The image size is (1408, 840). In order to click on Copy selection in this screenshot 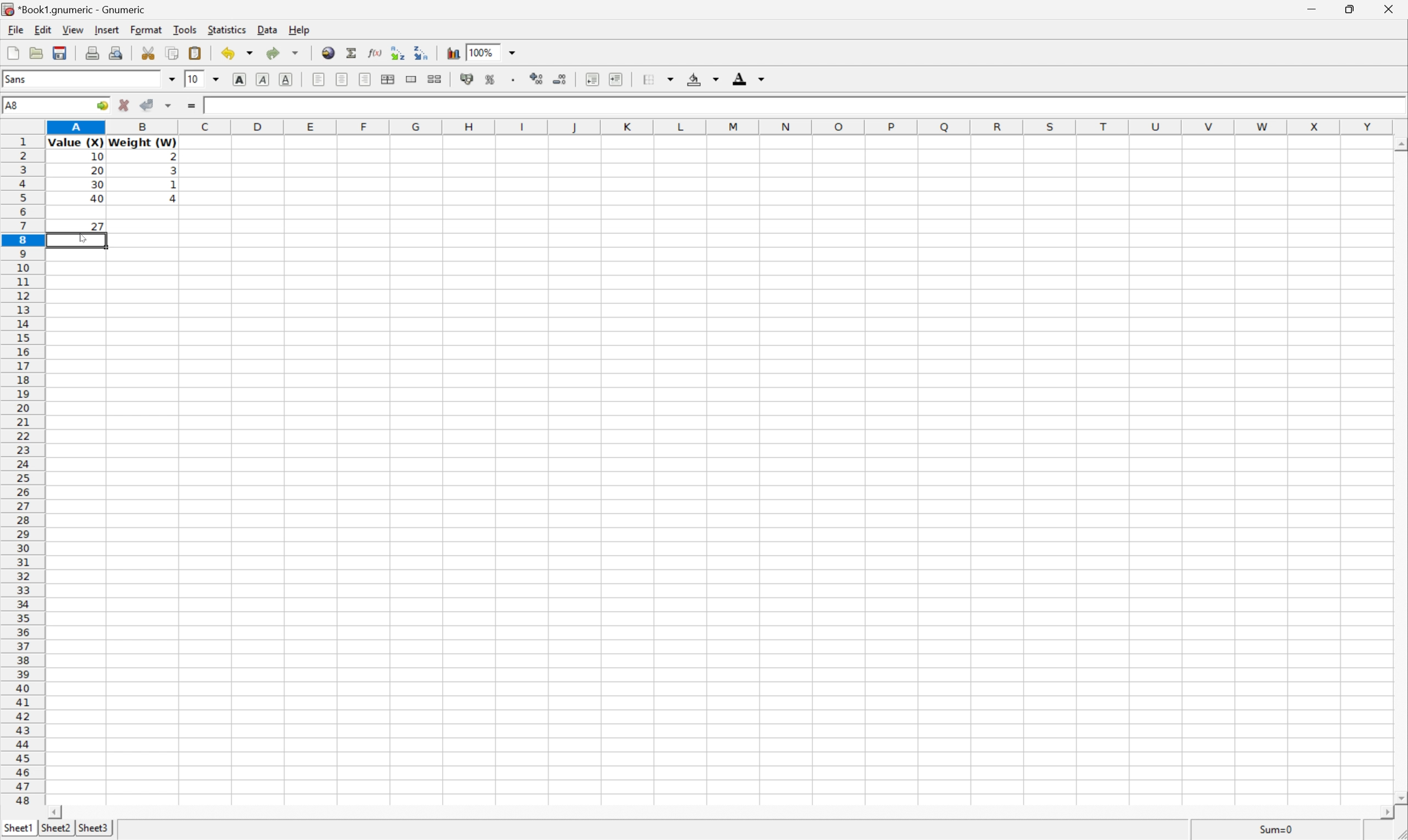, I will do `click(177, 53)`.